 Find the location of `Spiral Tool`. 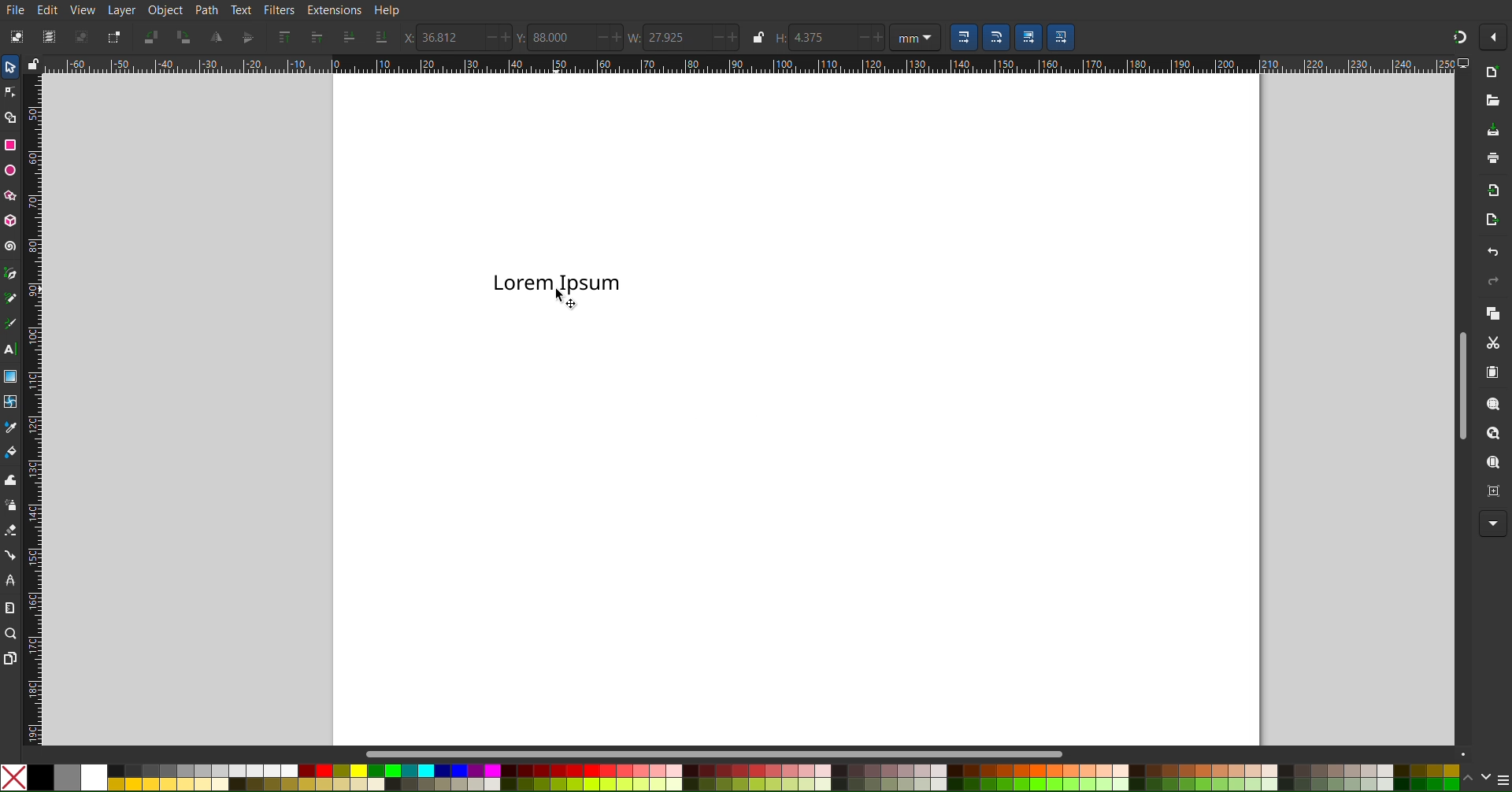

Spiral Tool is located at coordinates (10, 245).